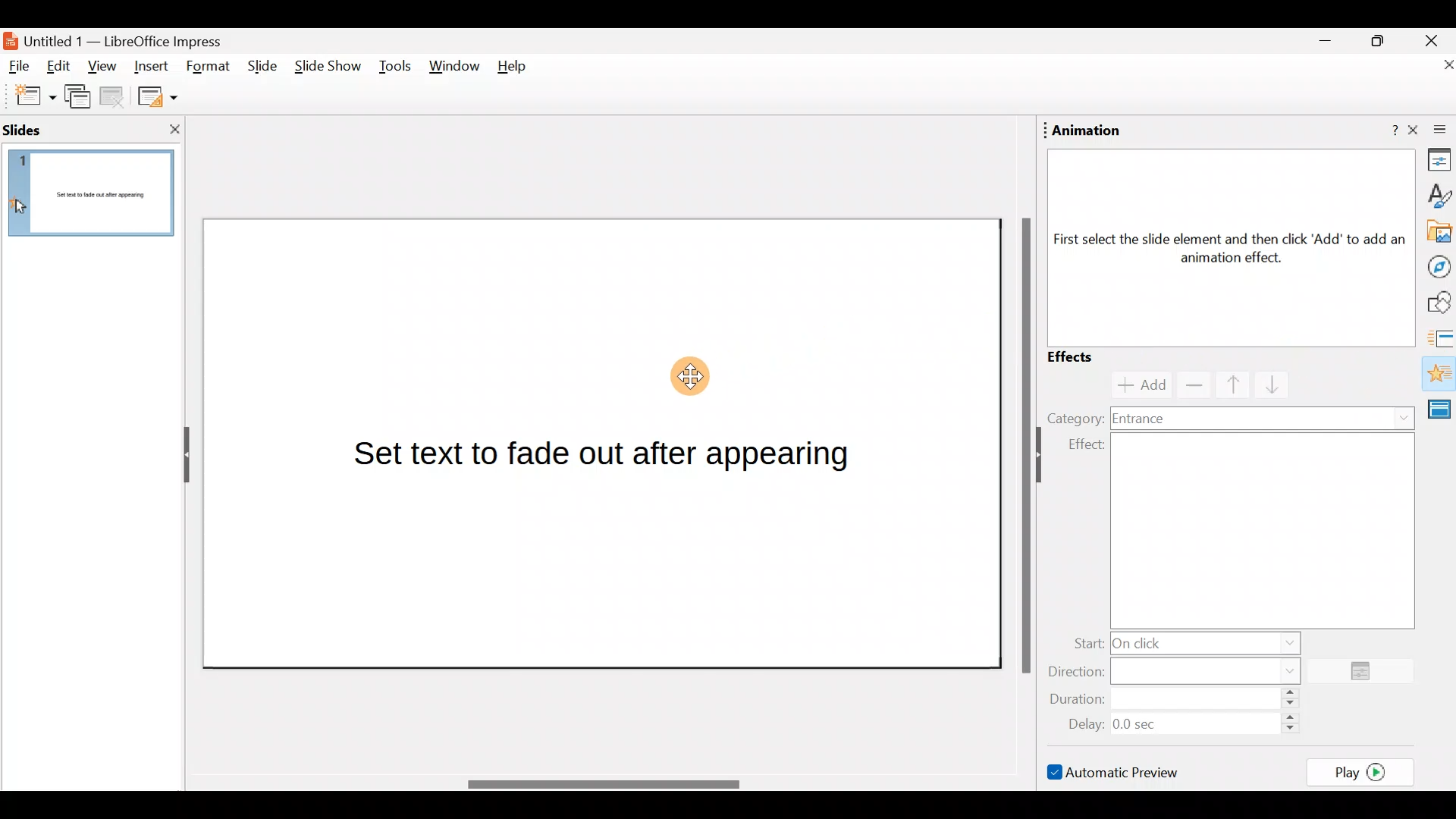 The image size is (1456, 819). What do you see at coordinates (1436, 232) in the screenshot?
I see `Gallery` at bounding box center [1436, 232].